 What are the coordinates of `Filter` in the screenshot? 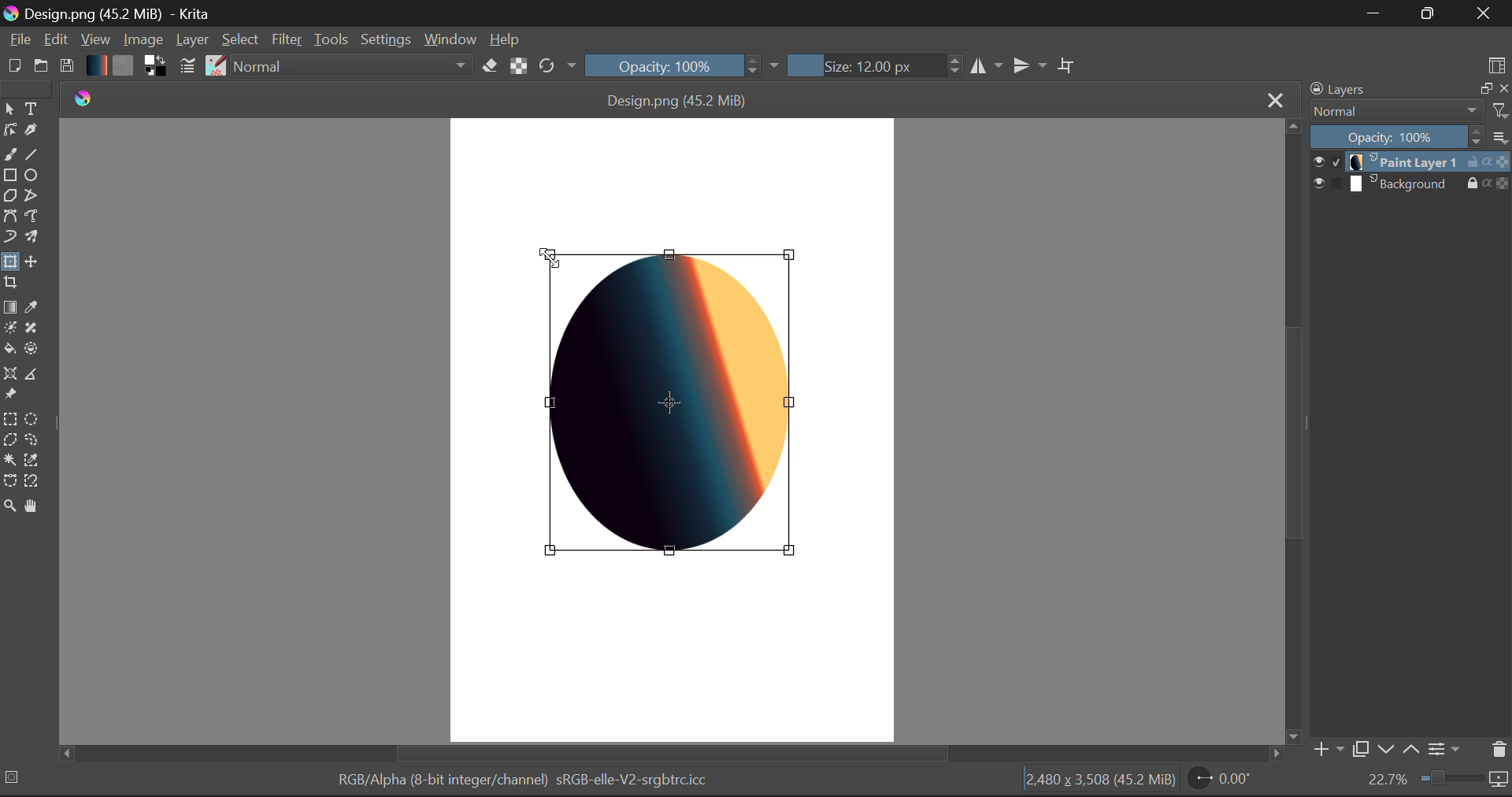 It's located at (287, 39).